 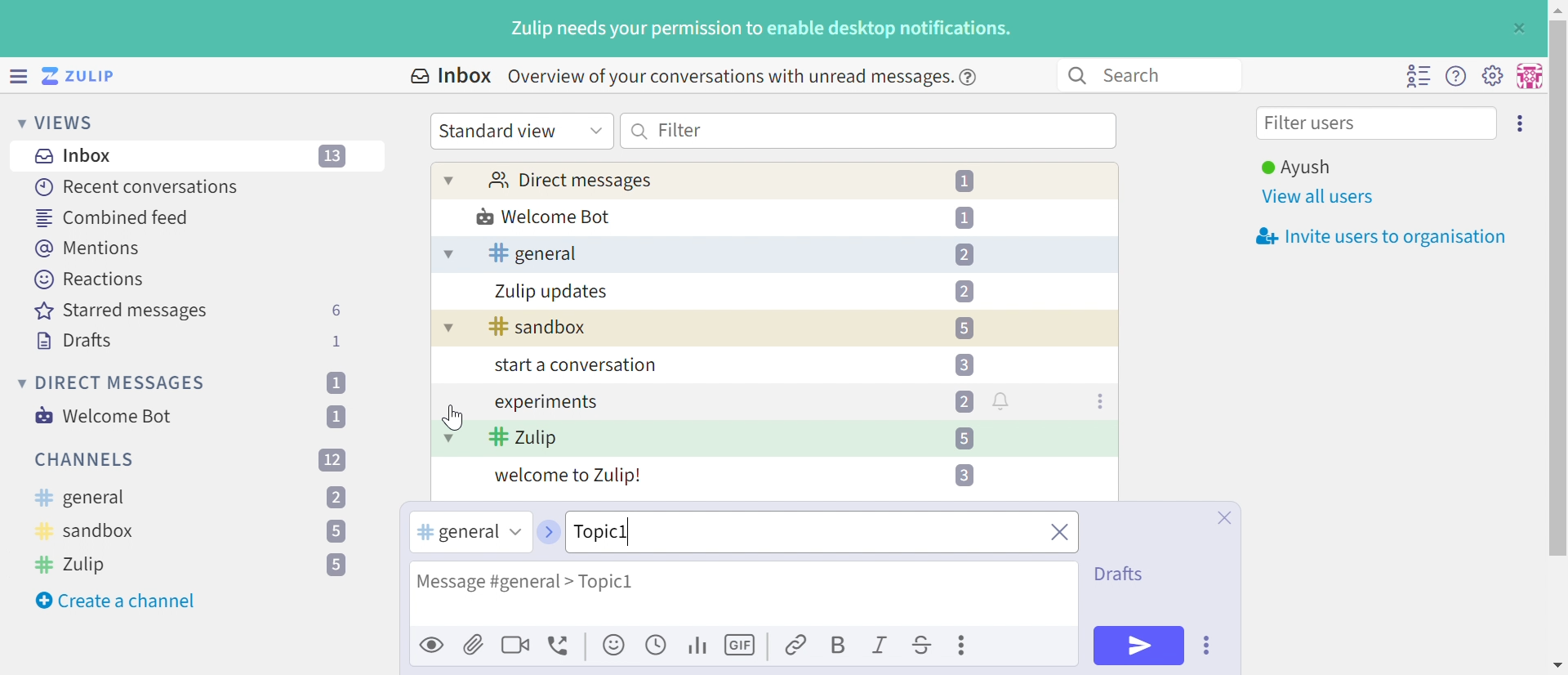 I want to click on Recent conversations, so click(x=138, y=186).